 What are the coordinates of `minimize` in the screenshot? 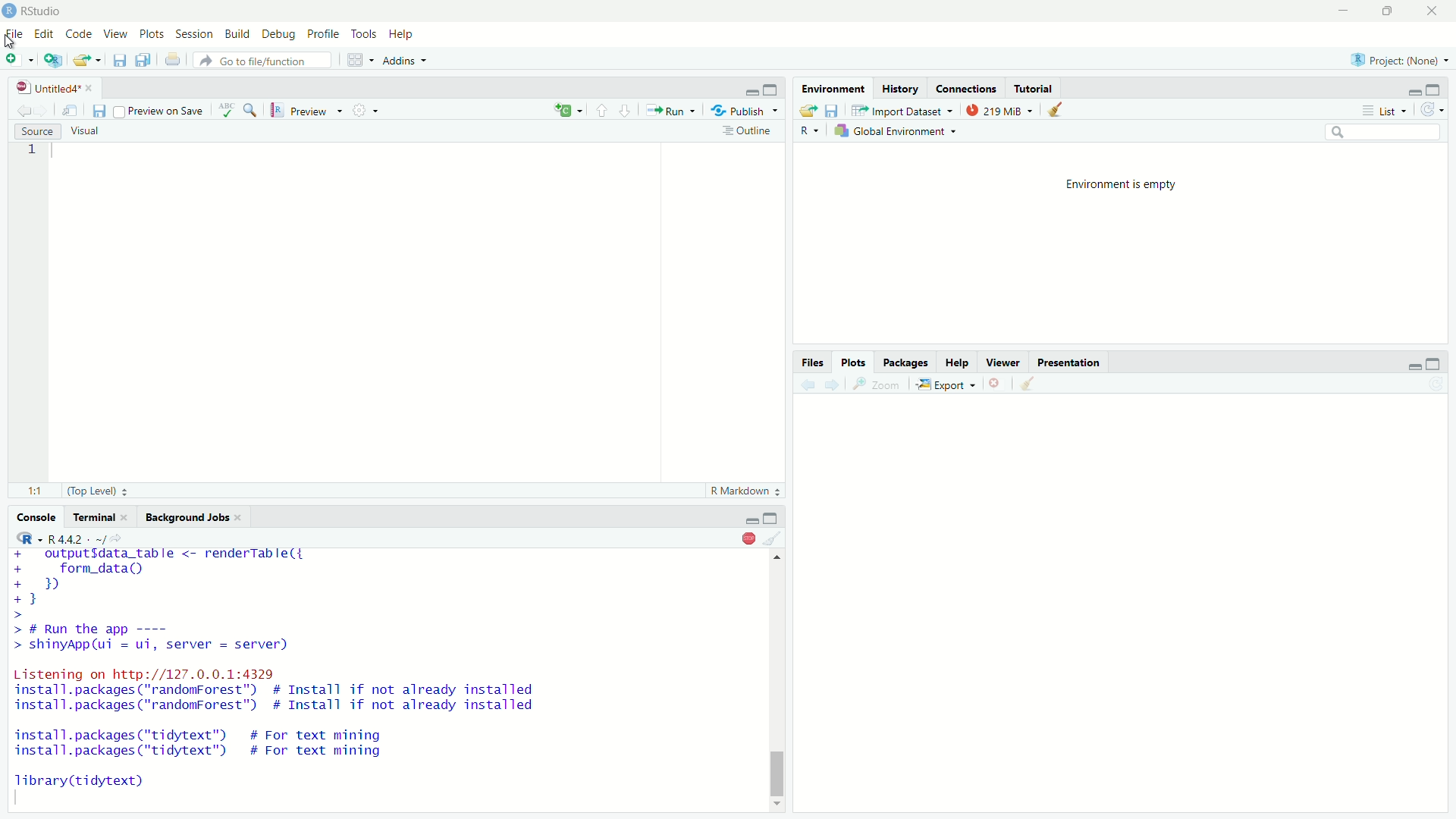 It's located at (1412, 362).